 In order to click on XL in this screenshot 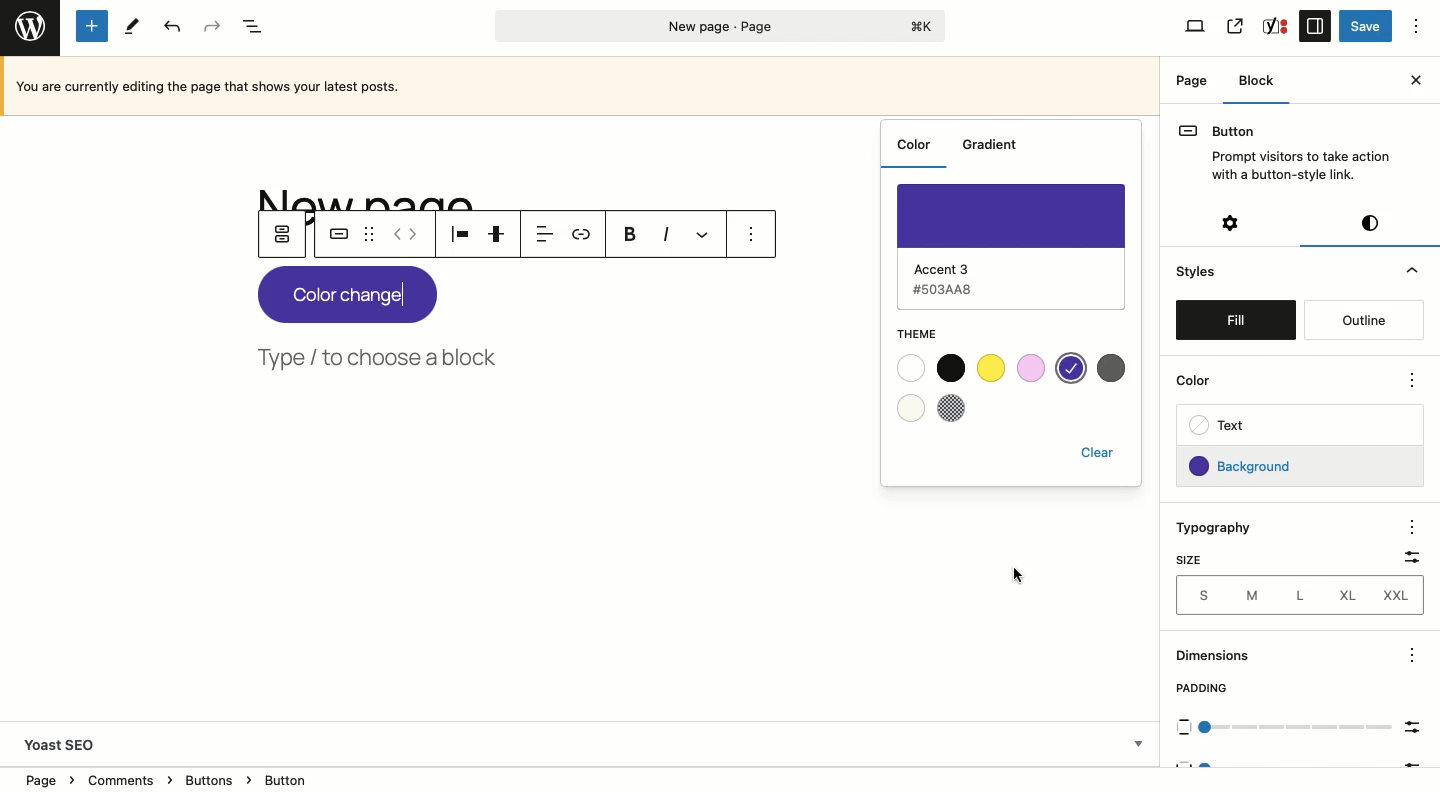, I will do `click(1349, 596)`.